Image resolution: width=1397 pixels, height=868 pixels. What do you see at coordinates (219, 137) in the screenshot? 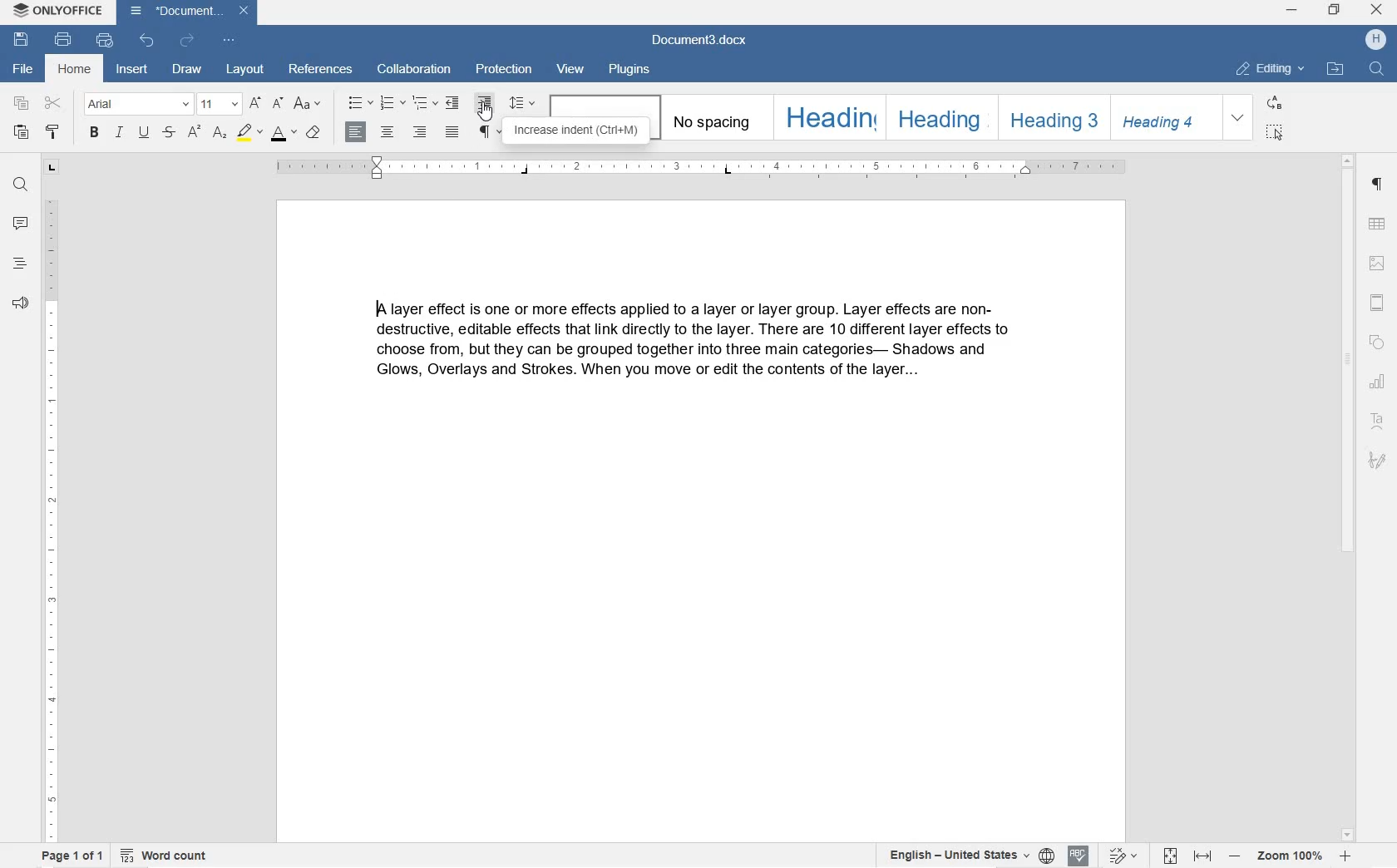
I see `SUPERSCRIPT` at bounding box center [219, 137].